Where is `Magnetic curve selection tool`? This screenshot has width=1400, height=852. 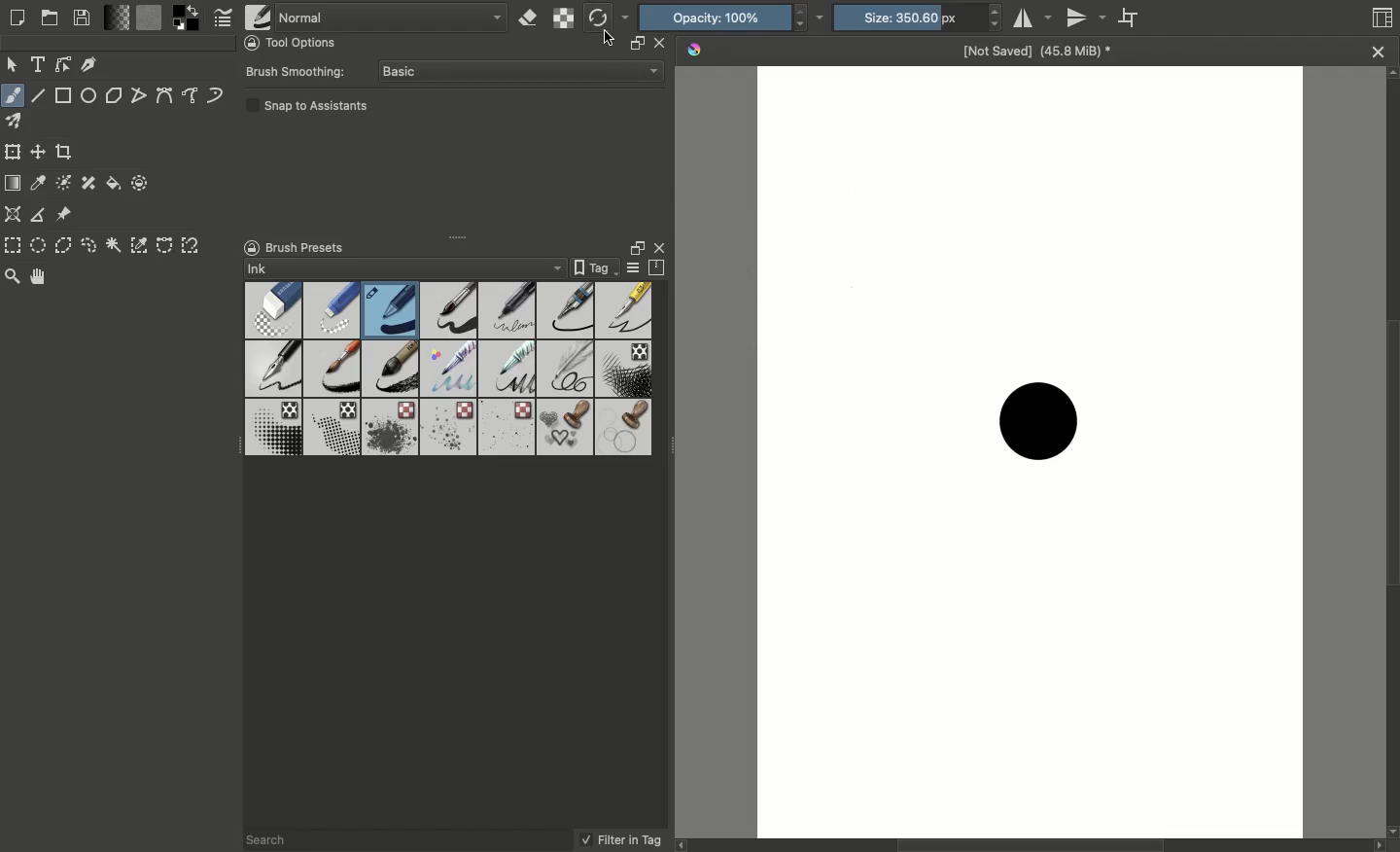
Magnetic curve selection tool is located at coordinates (192, 245).